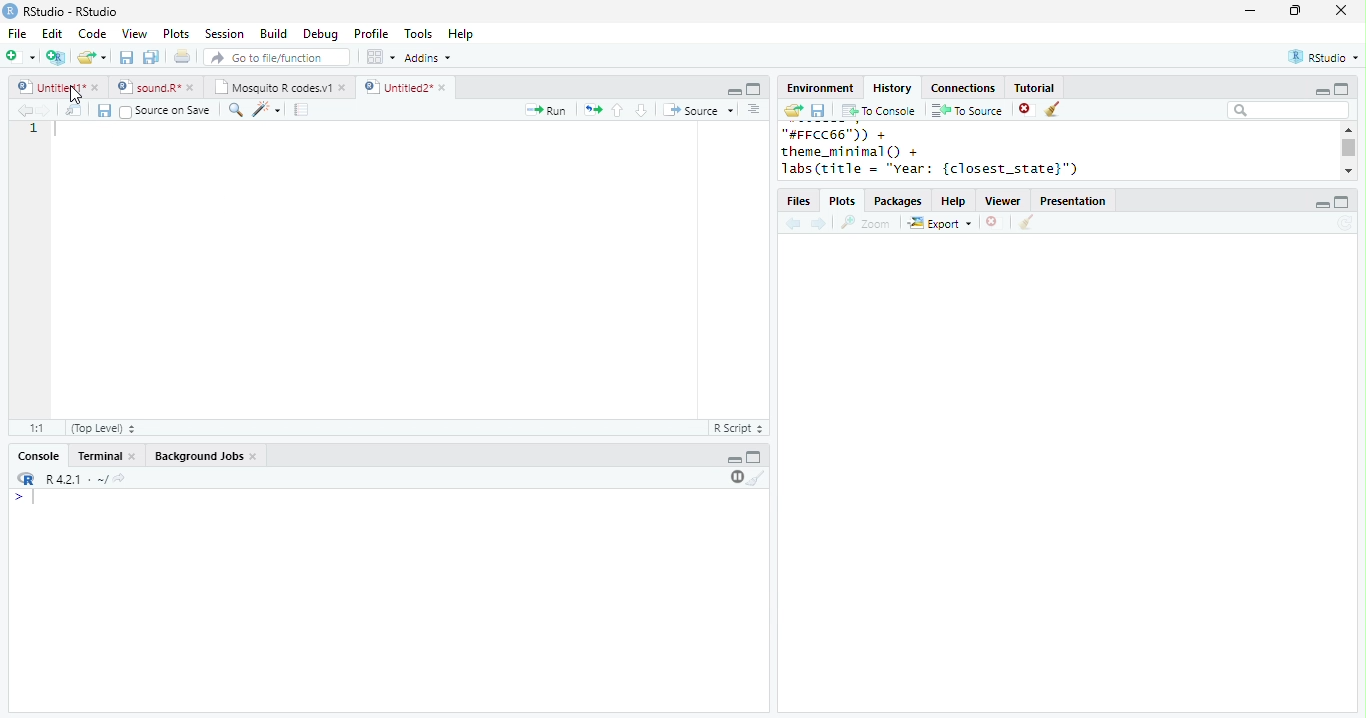  What do you see at coordinates (735, 477) in the screenshot?
I see `pause` at bounding box center [735, 477].